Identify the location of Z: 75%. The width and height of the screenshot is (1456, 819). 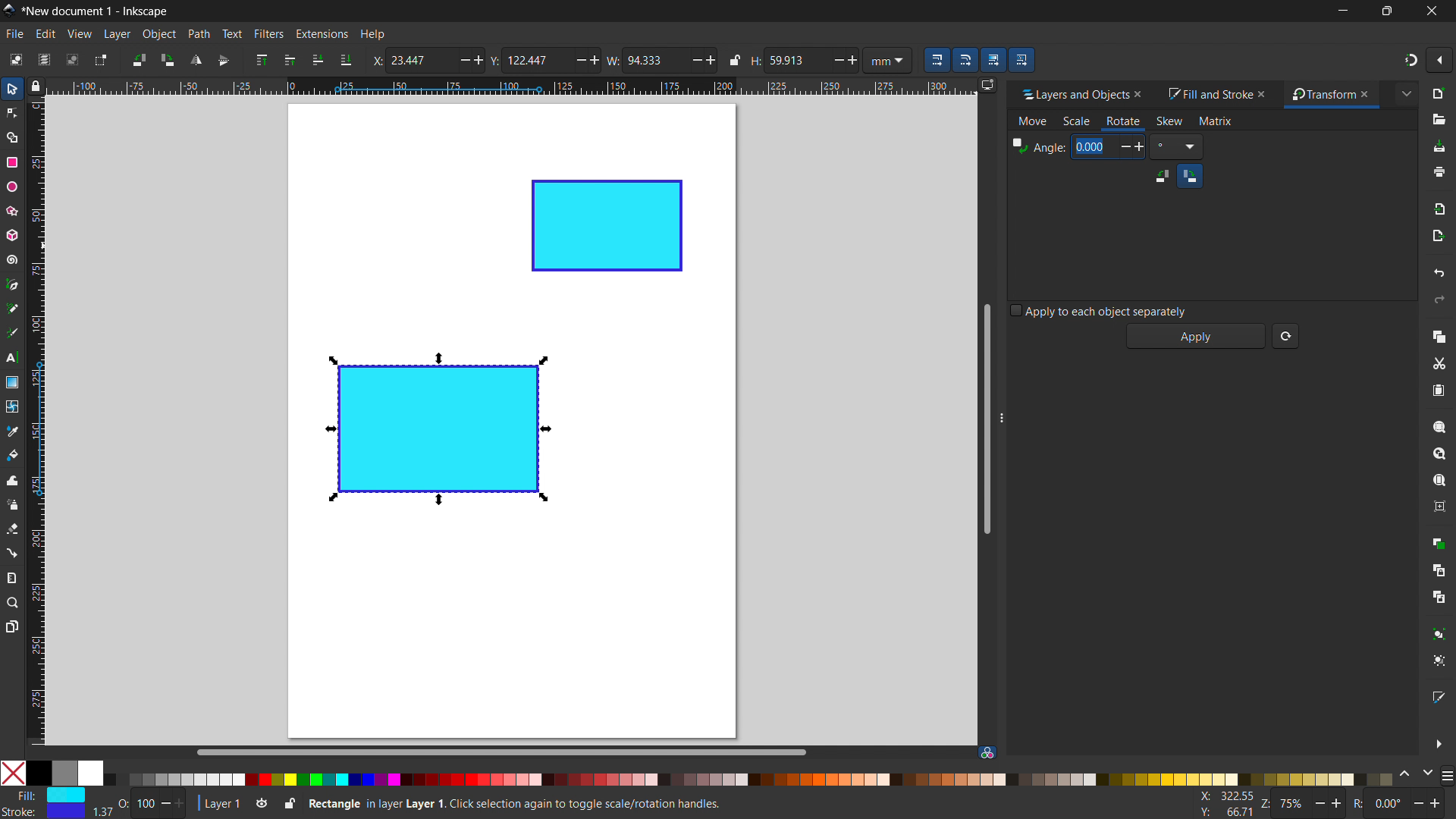
(1304, 805).